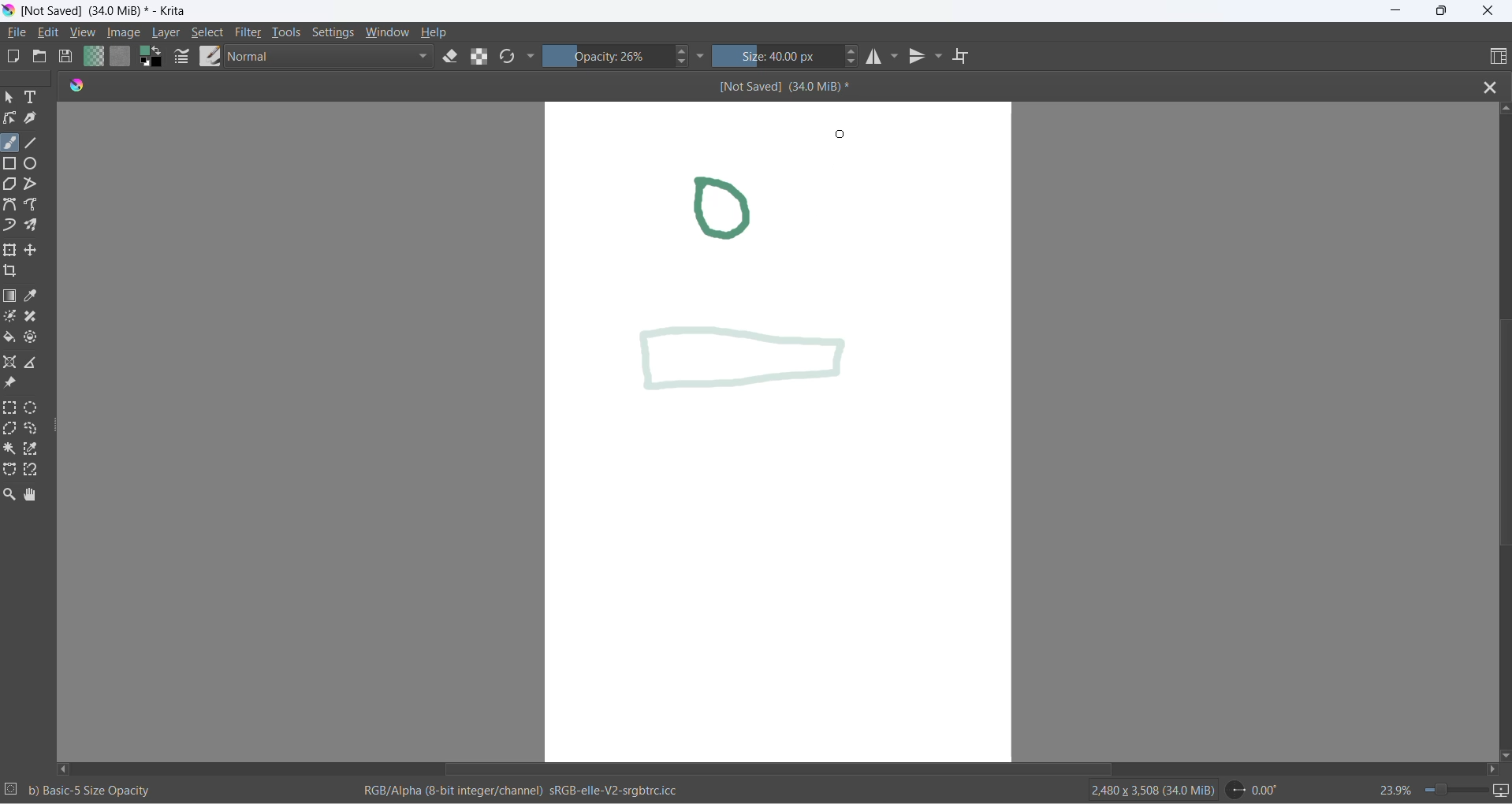  Describe the element at coordinates (35, 429) in the screenshot. I see `freehand selection tool` at that location.